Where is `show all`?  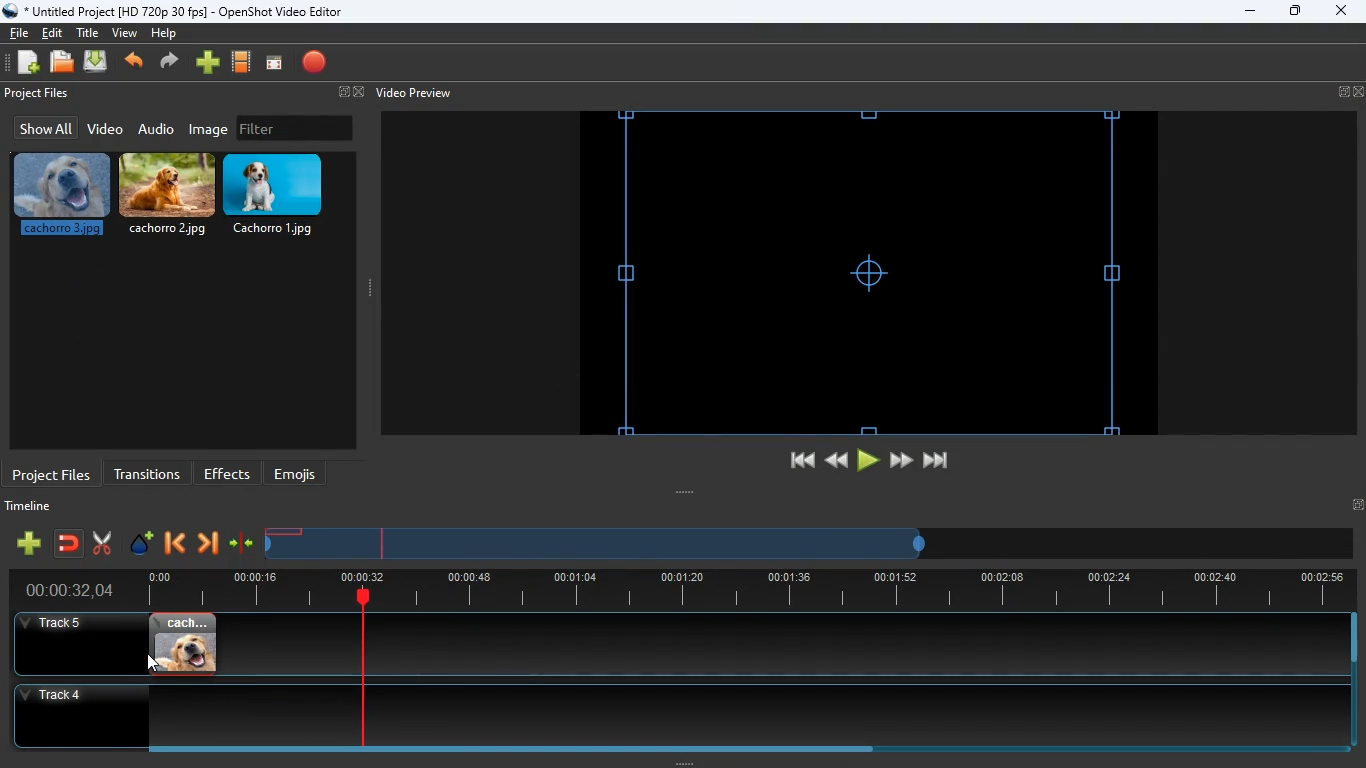 show all is located at coordinates (43, 128).